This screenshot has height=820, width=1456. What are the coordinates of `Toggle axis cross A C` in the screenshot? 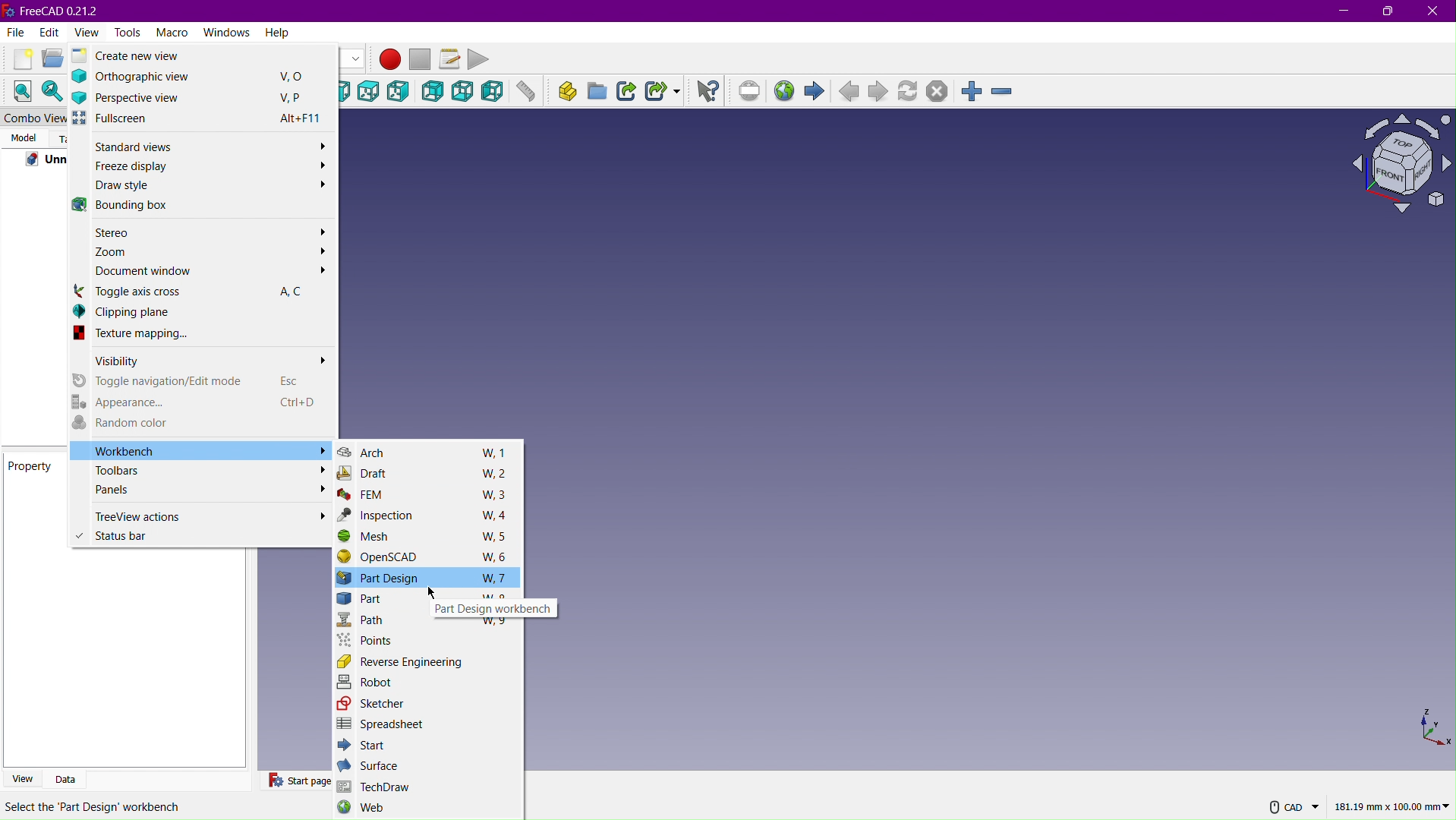 It's located at (192, 292).